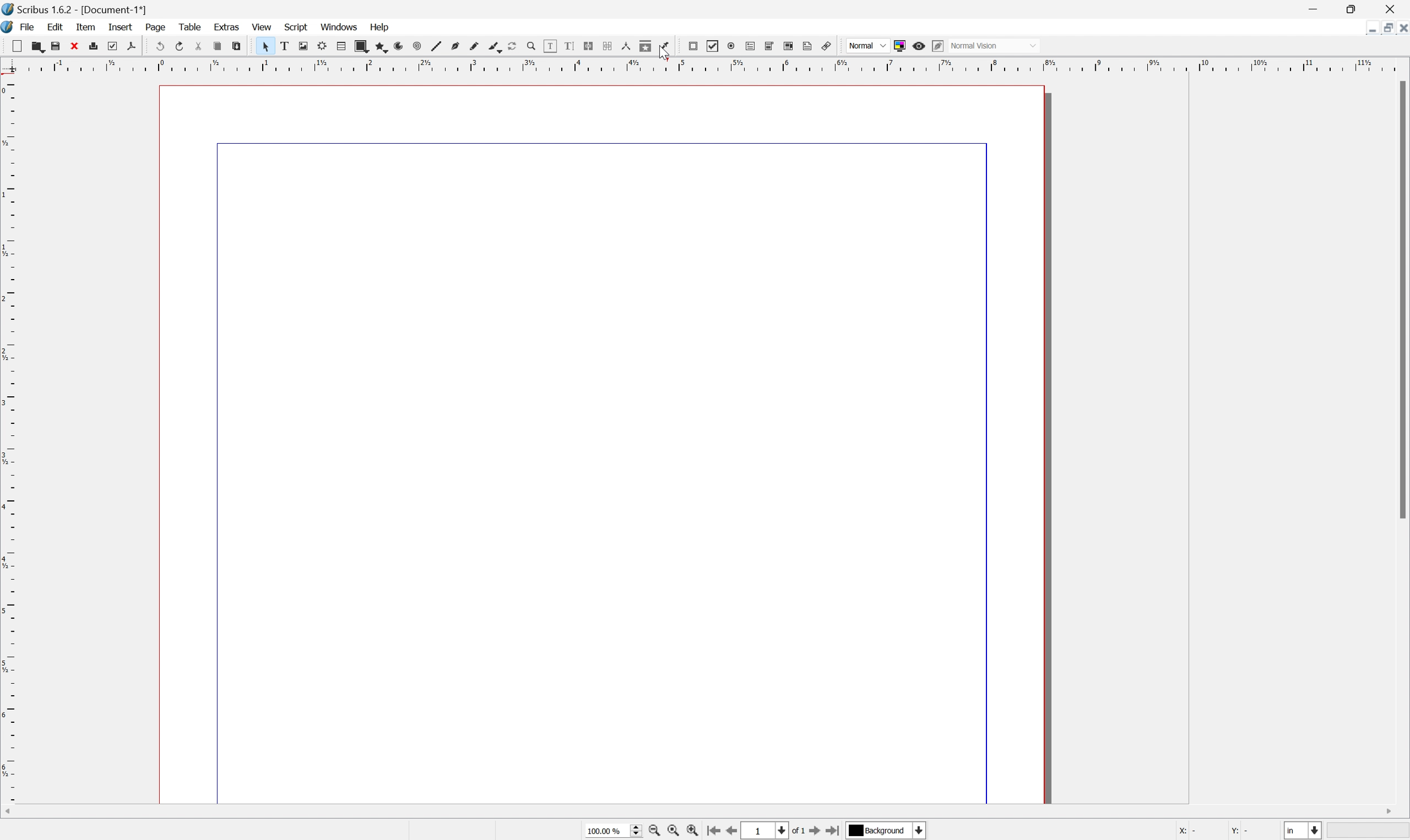  Describe the element at coordinates (73, 45) in the screenshot. I see `close` at that location.